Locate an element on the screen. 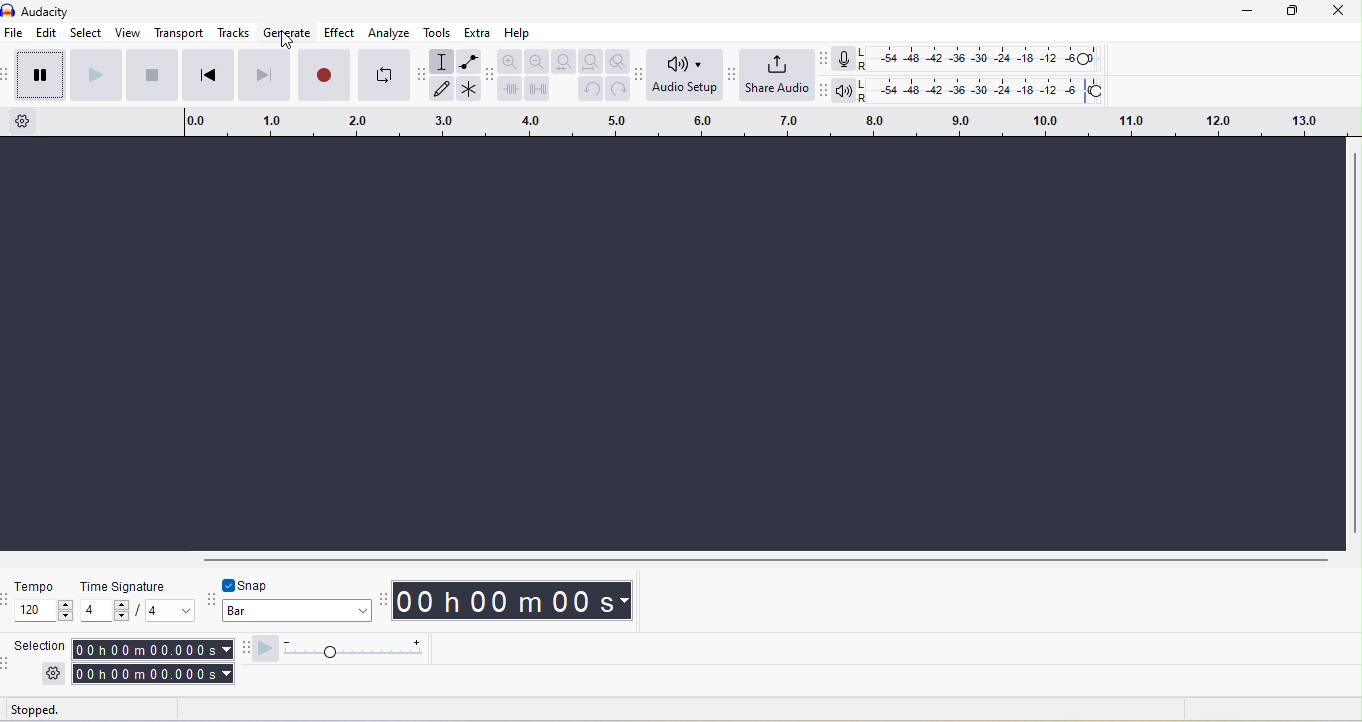 The height and width of the screenshot is (722, 1362). fit project to width is located at coordinates (590, 62).